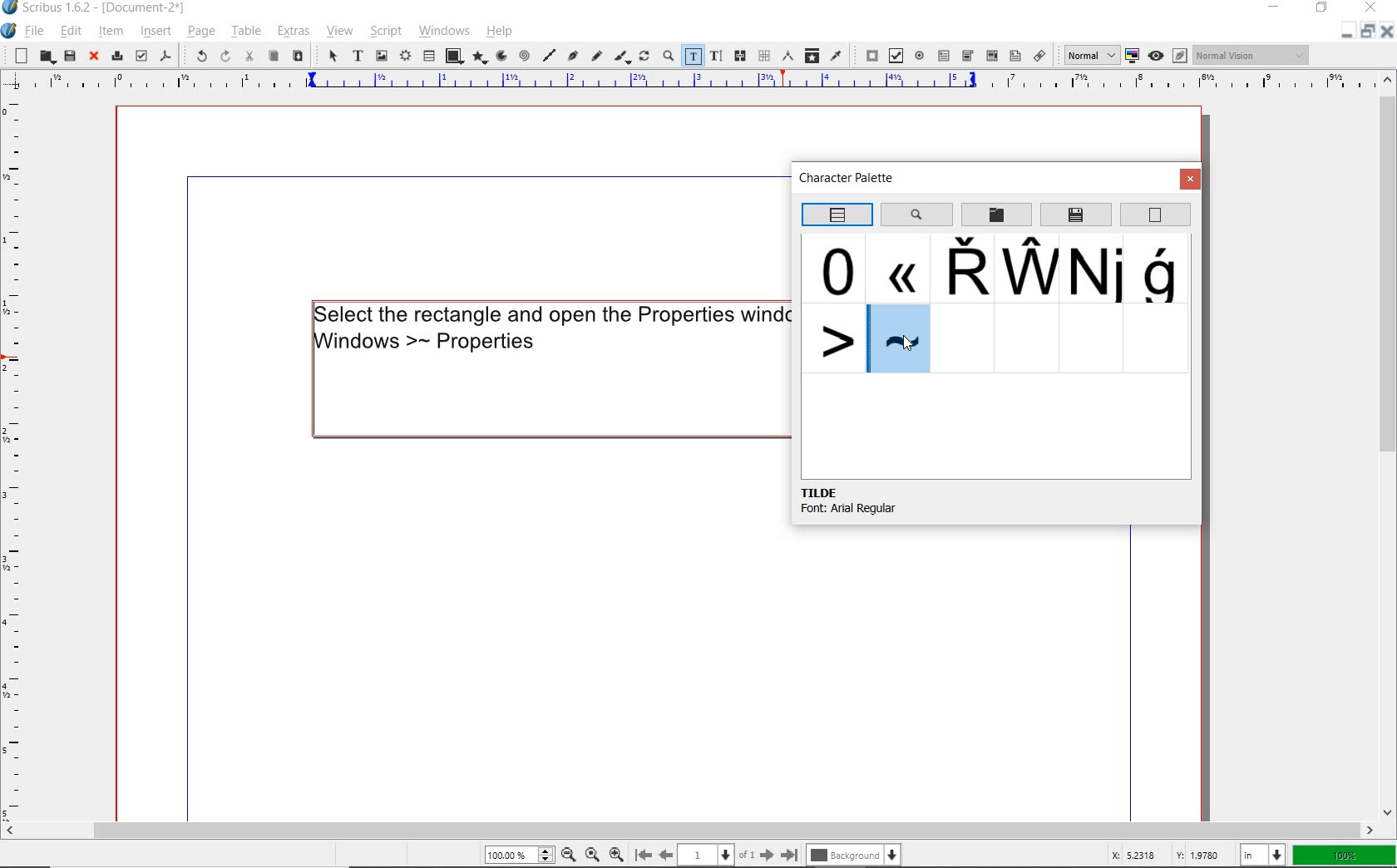 The image size is (1397, 868). What do you see at coordinates (568, 854) in the screenshot?
I see `zoom out` at bounding box center [568, 854].